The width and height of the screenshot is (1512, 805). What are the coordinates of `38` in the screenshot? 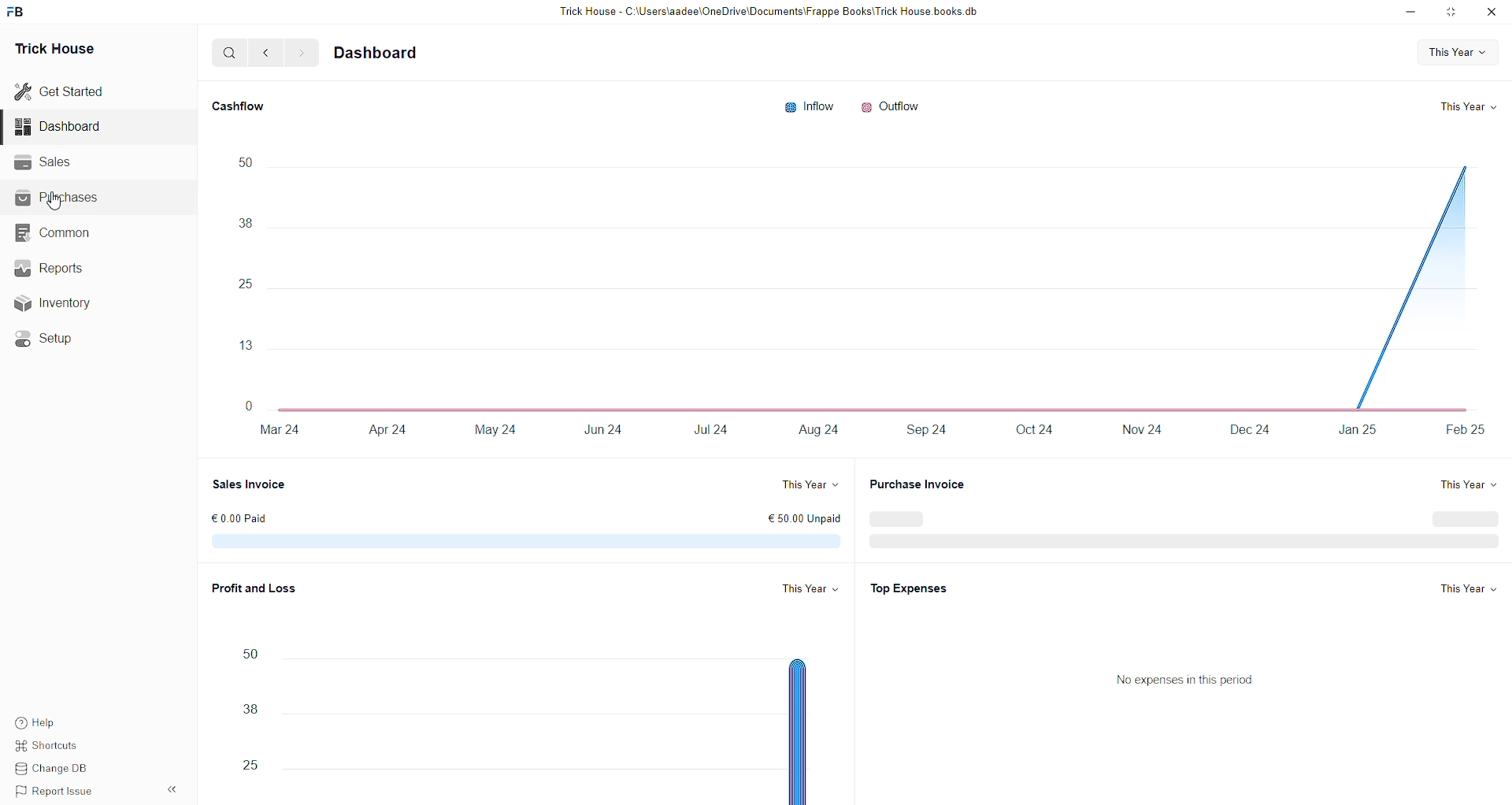 It's located at (246, 710).